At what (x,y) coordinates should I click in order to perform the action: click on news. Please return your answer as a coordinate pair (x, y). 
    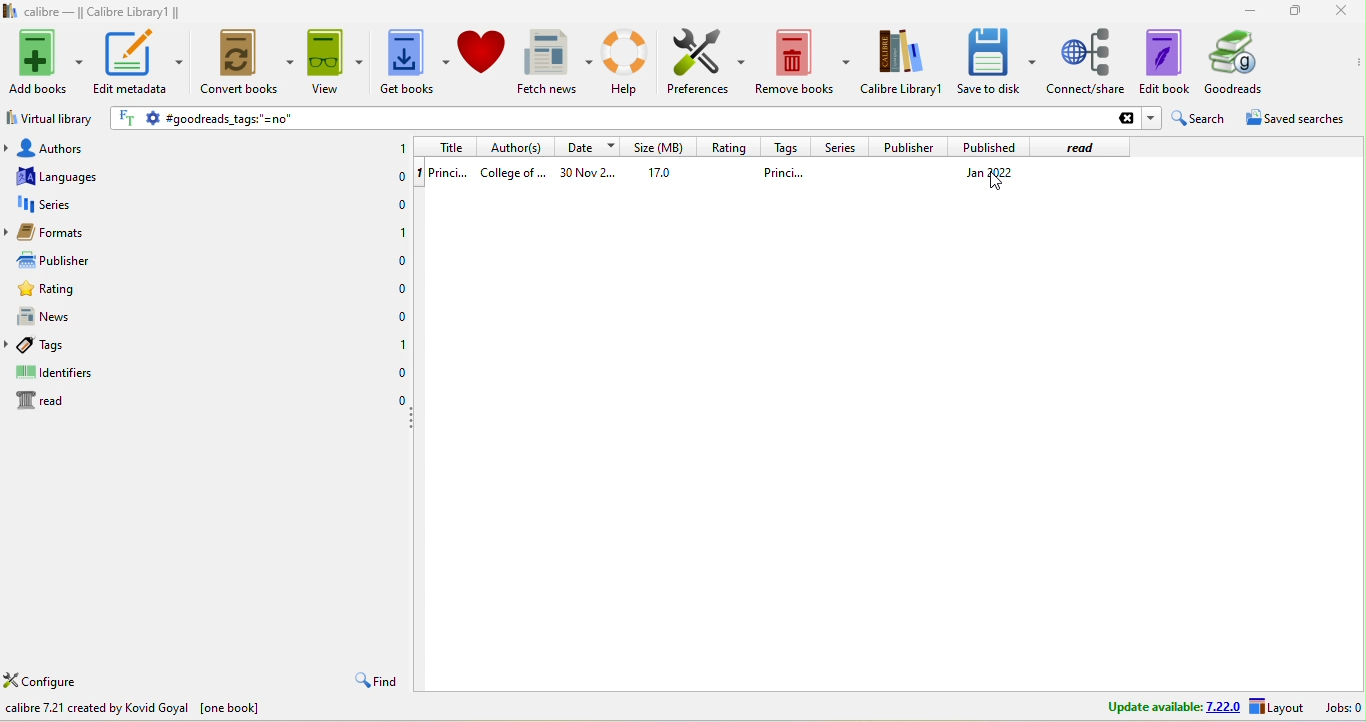
    Looking at the image, I should click on (60, 318).